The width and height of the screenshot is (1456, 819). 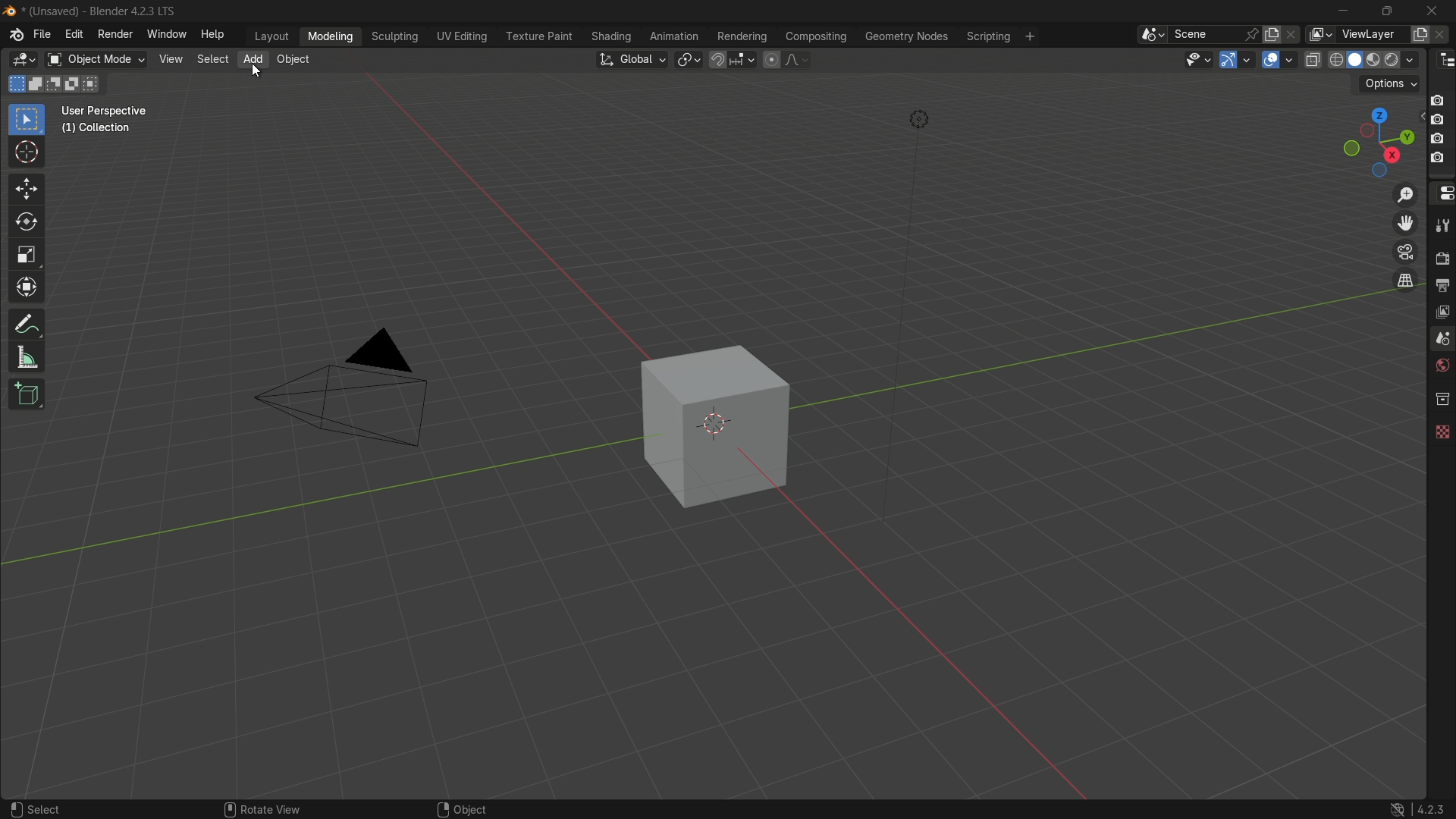 I want to click on toggle x ray, so click(x=1311, y=59).